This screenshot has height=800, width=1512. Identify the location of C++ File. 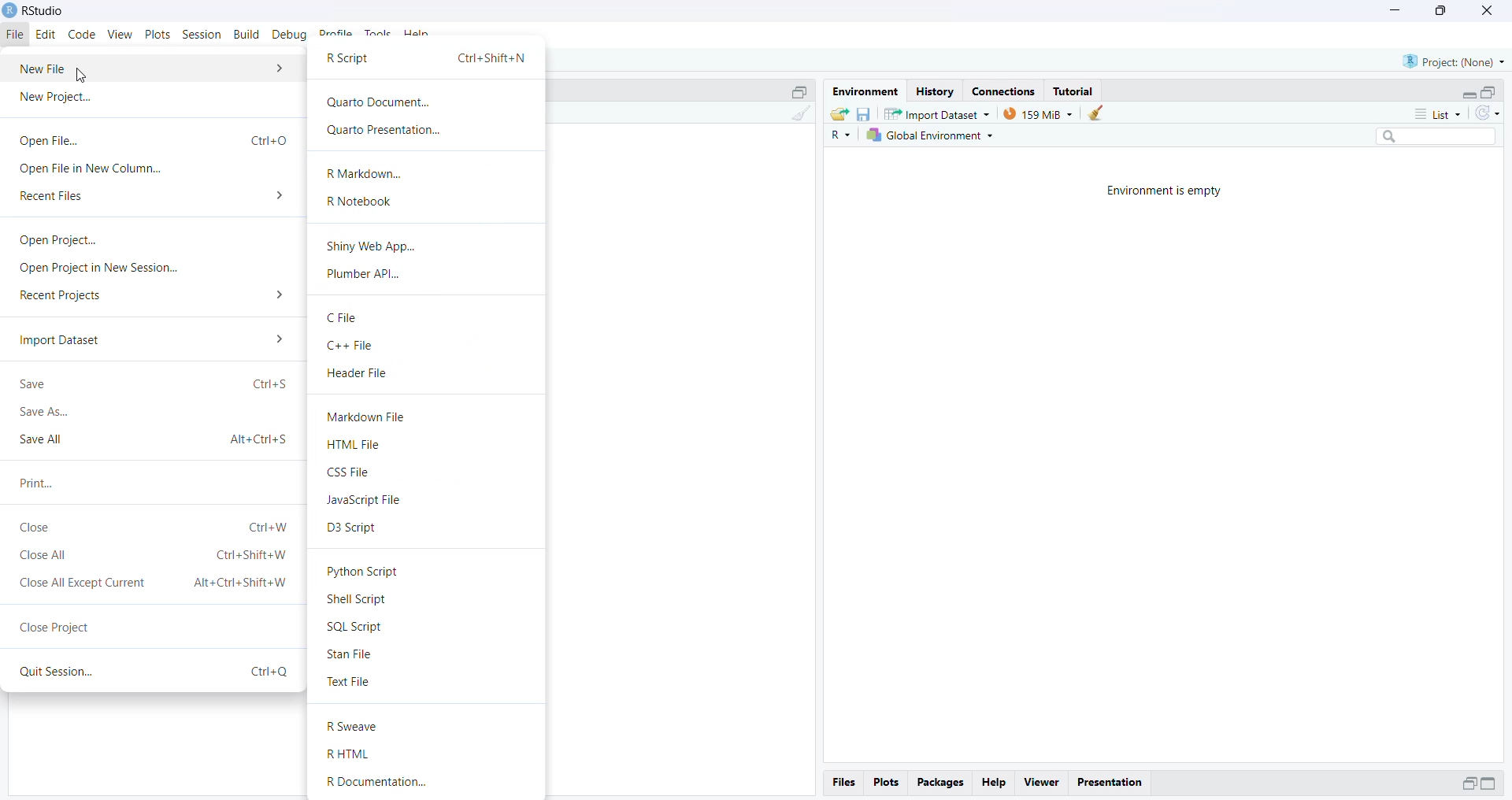
(354, 346).